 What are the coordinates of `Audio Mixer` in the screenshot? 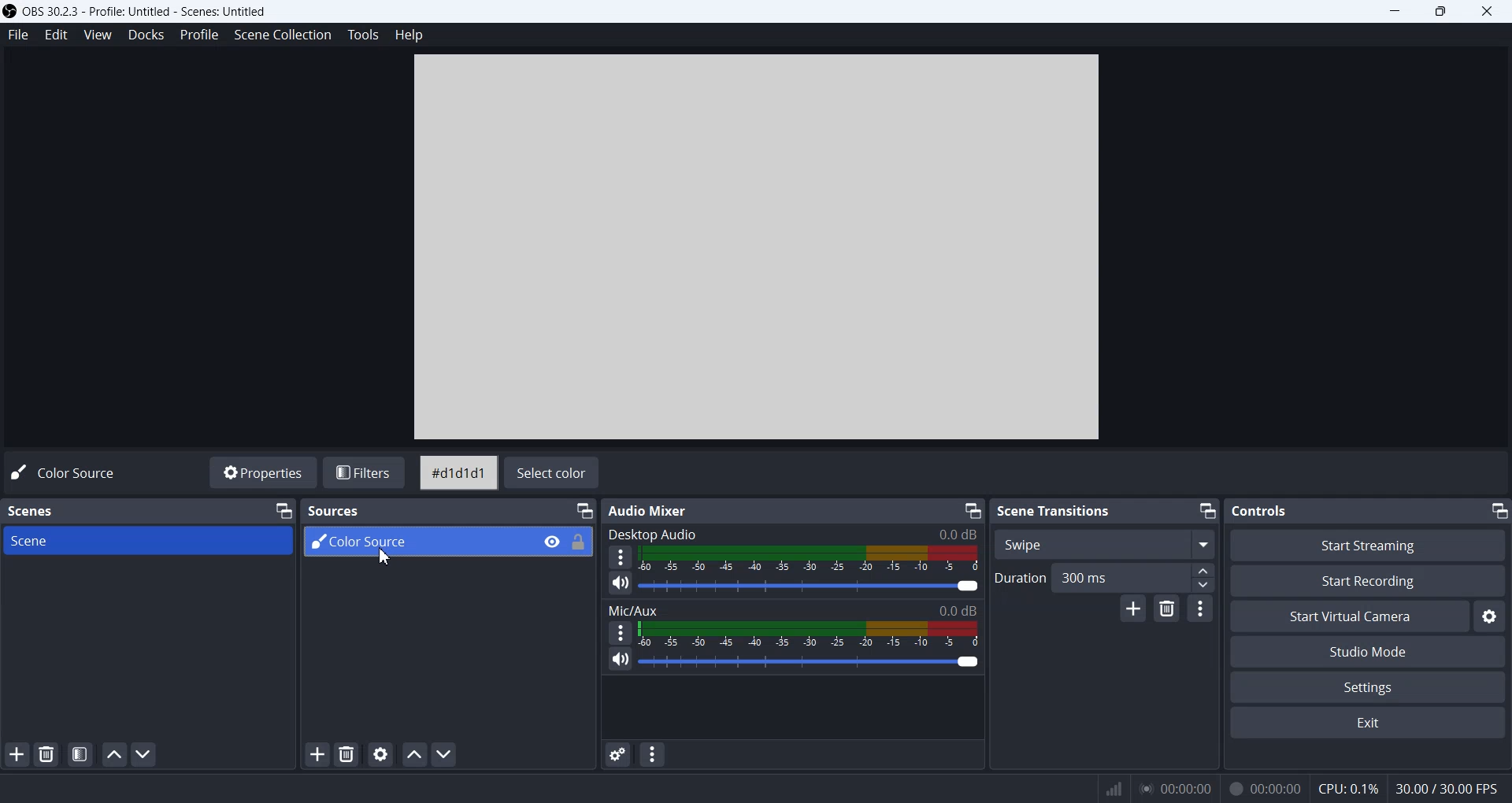 It's located at (647, 510).